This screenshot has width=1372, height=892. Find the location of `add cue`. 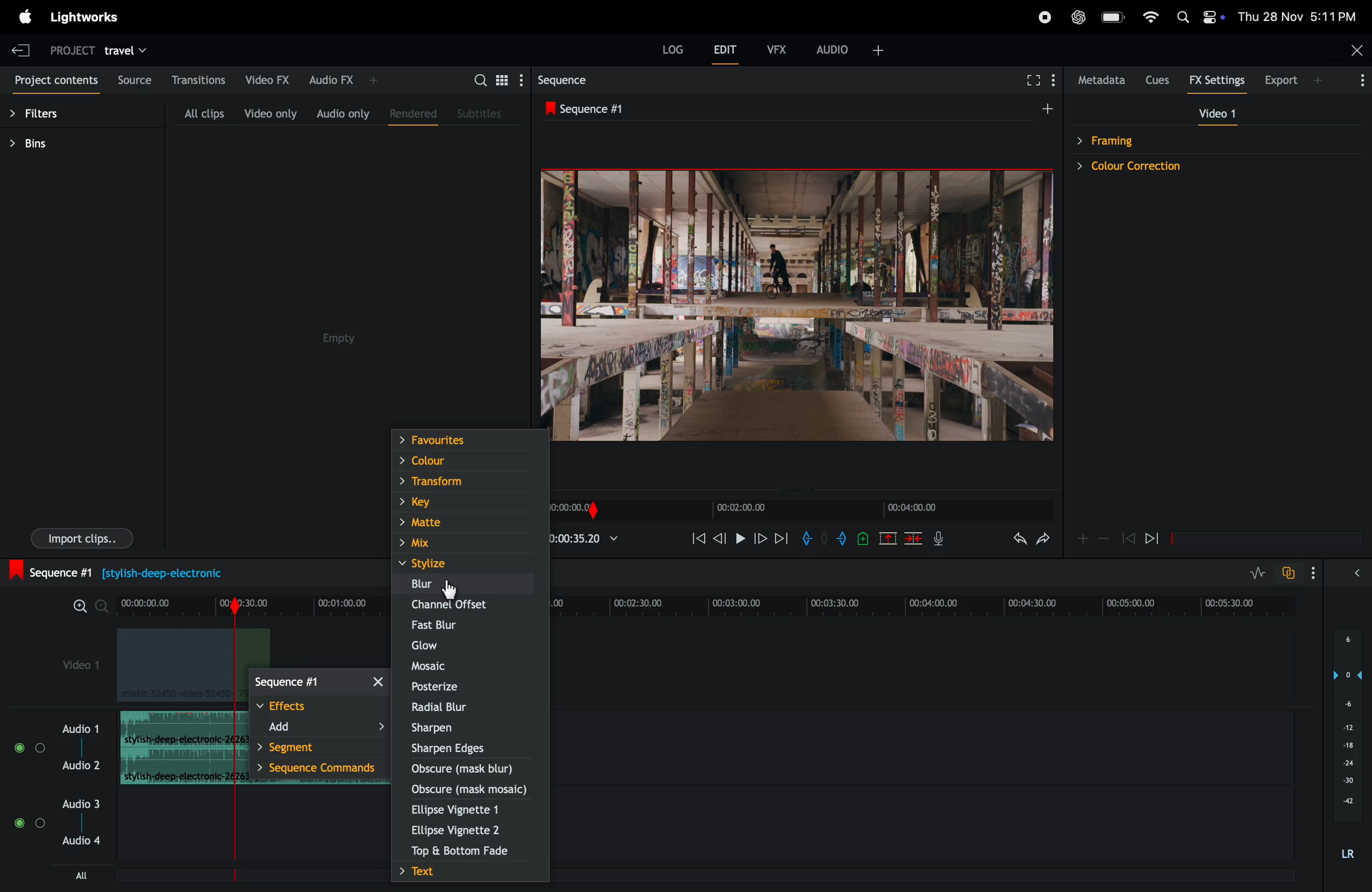

add cue is located at coordinates (860, 540).